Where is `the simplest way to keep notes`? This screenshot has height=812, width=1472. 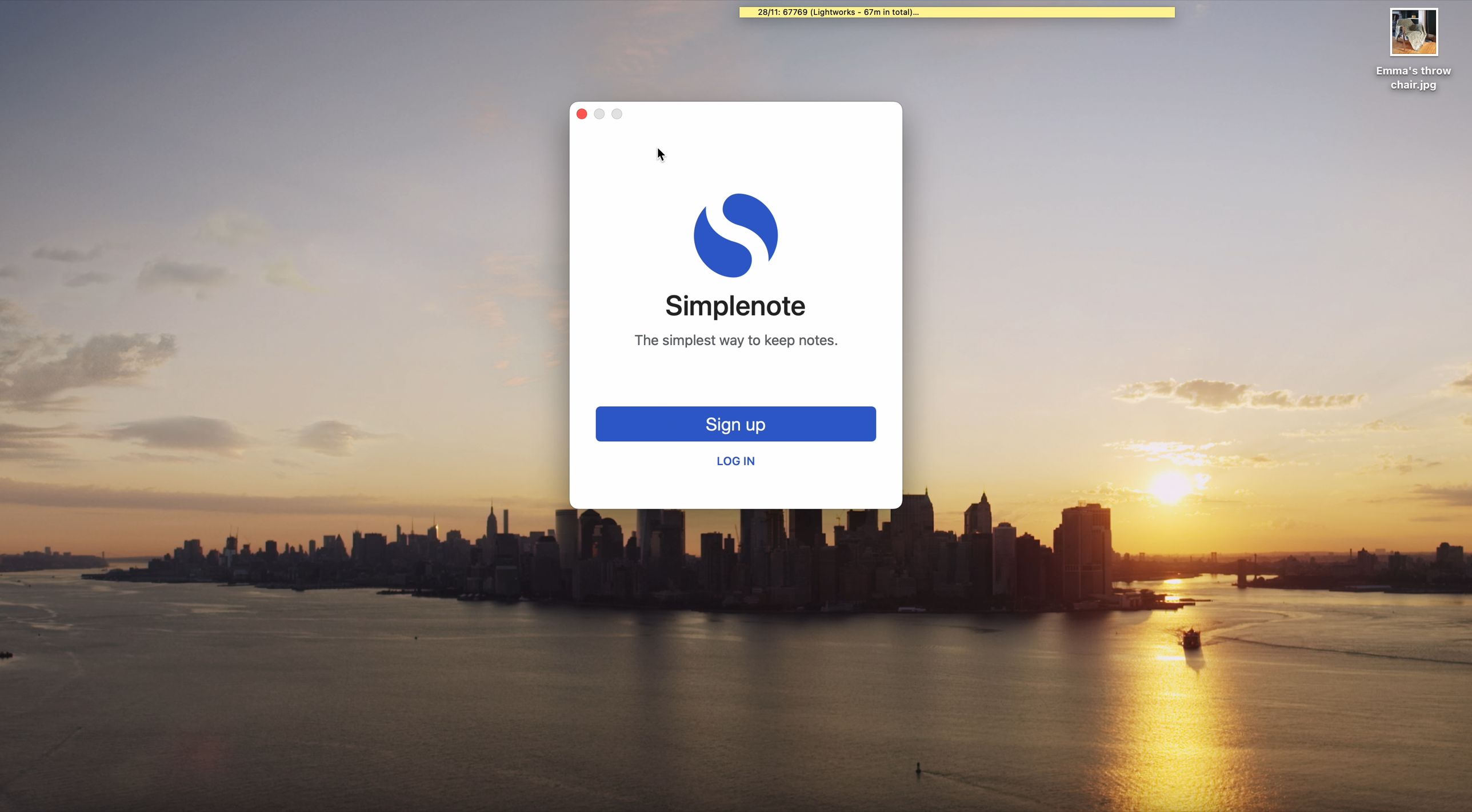
the simplest way to keep notes is located at coordinates (735, 341).